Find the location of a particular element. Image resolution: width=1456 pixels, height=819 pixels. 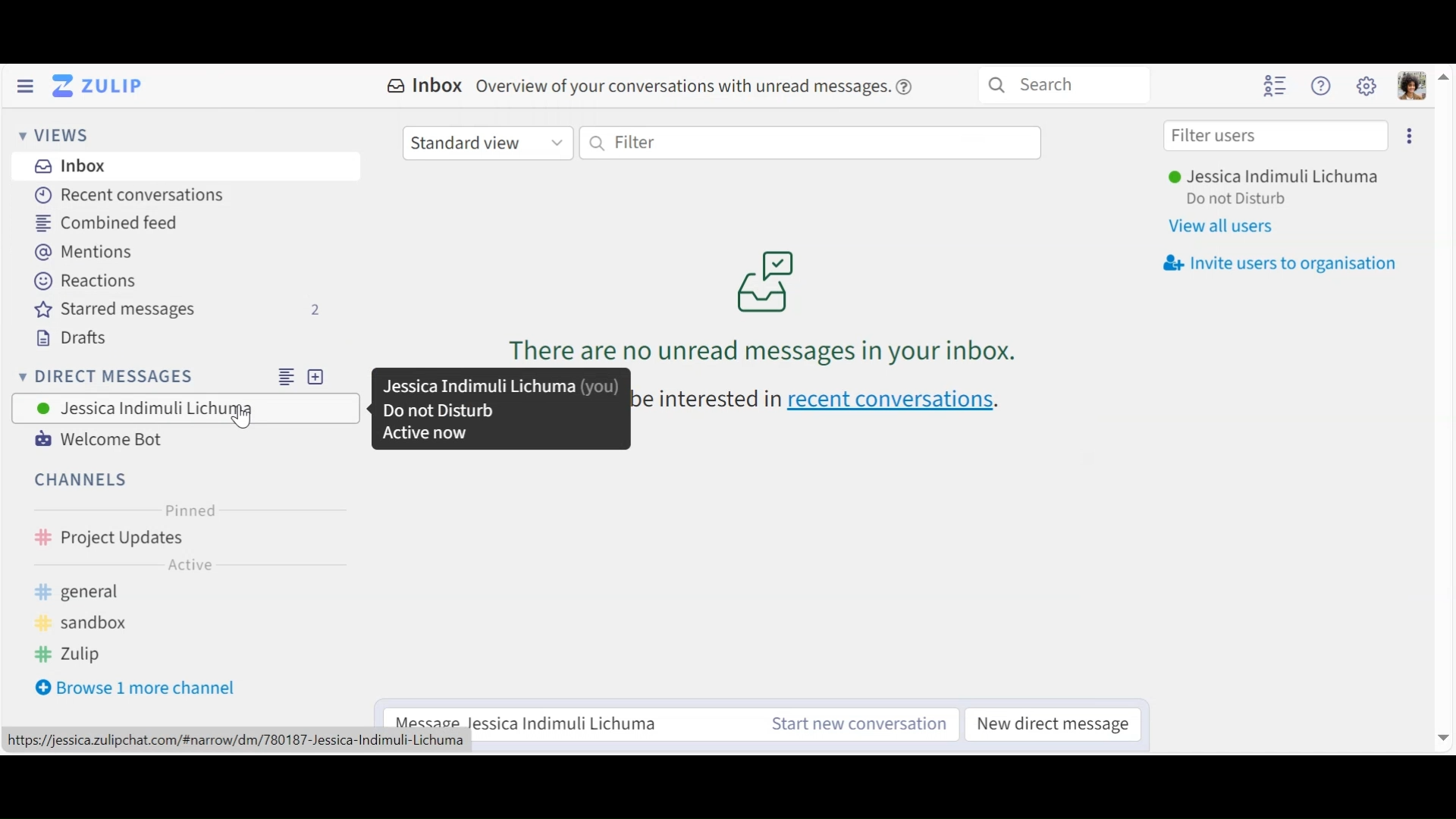

Hide Left Sidebar is located at coordinates (24, 86).